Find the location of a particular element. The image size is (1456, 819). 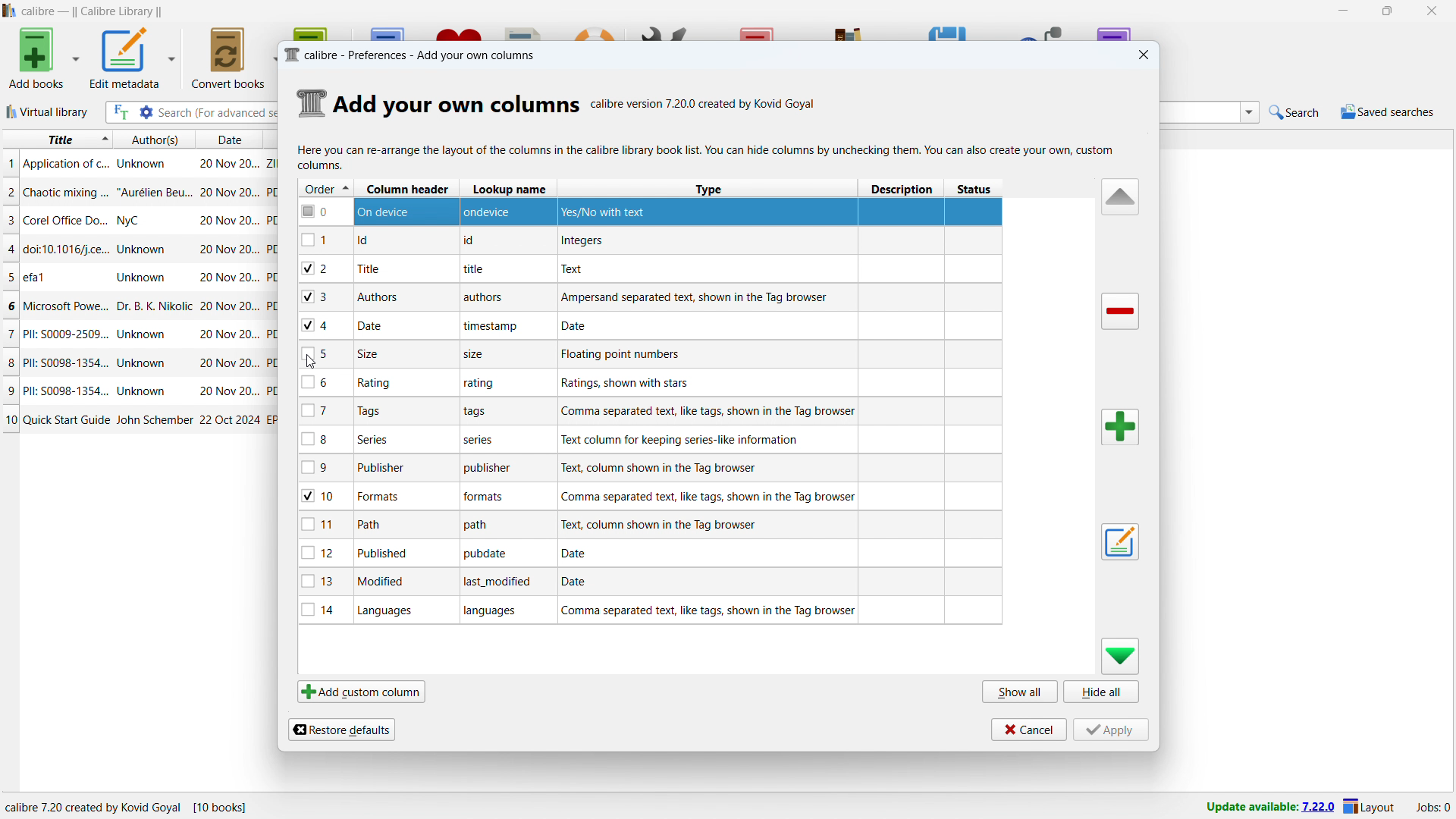

series is located at coordinates (382, 438).